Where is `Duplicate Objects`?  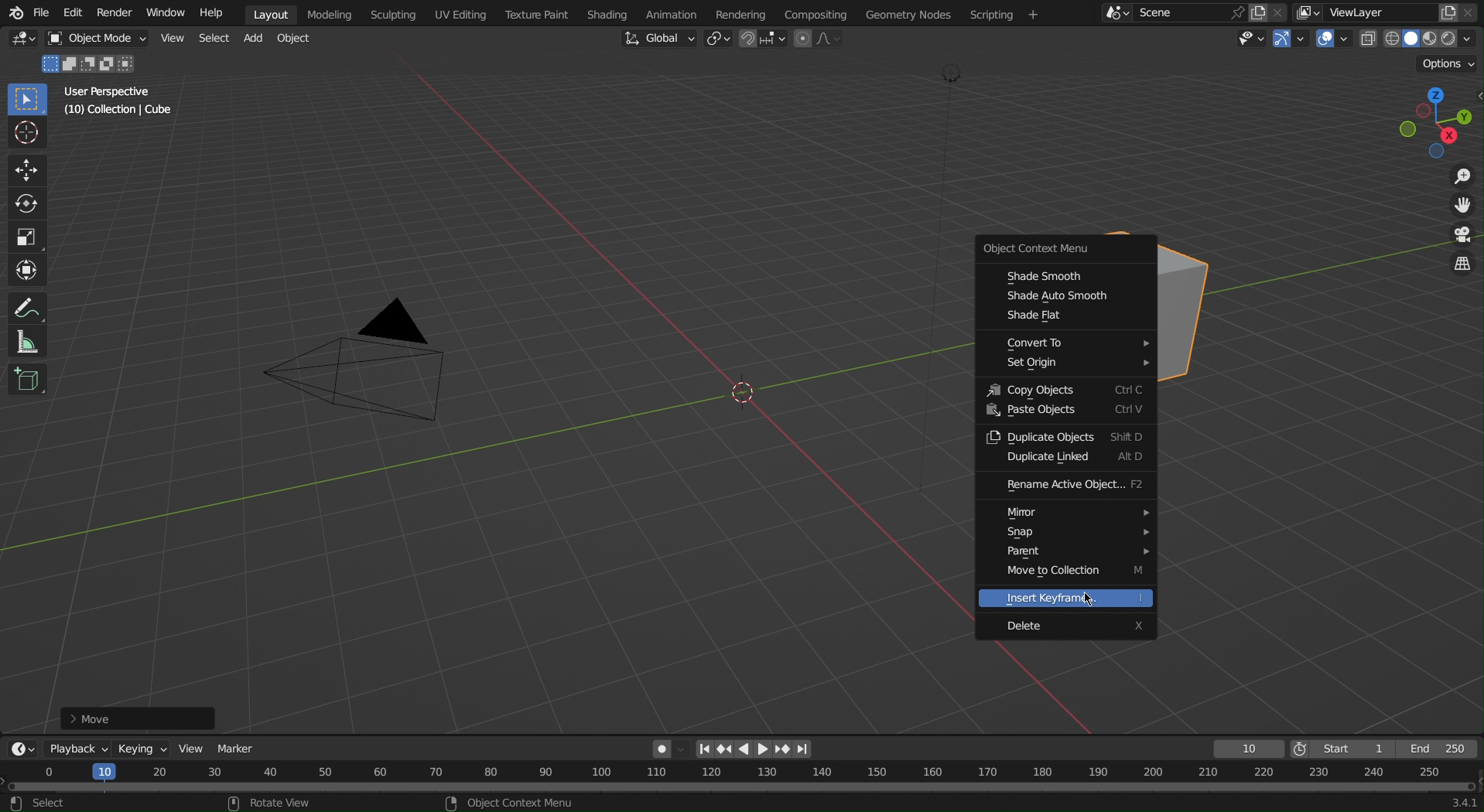
Duplicate Objects is located at coordinates (1065, 436).